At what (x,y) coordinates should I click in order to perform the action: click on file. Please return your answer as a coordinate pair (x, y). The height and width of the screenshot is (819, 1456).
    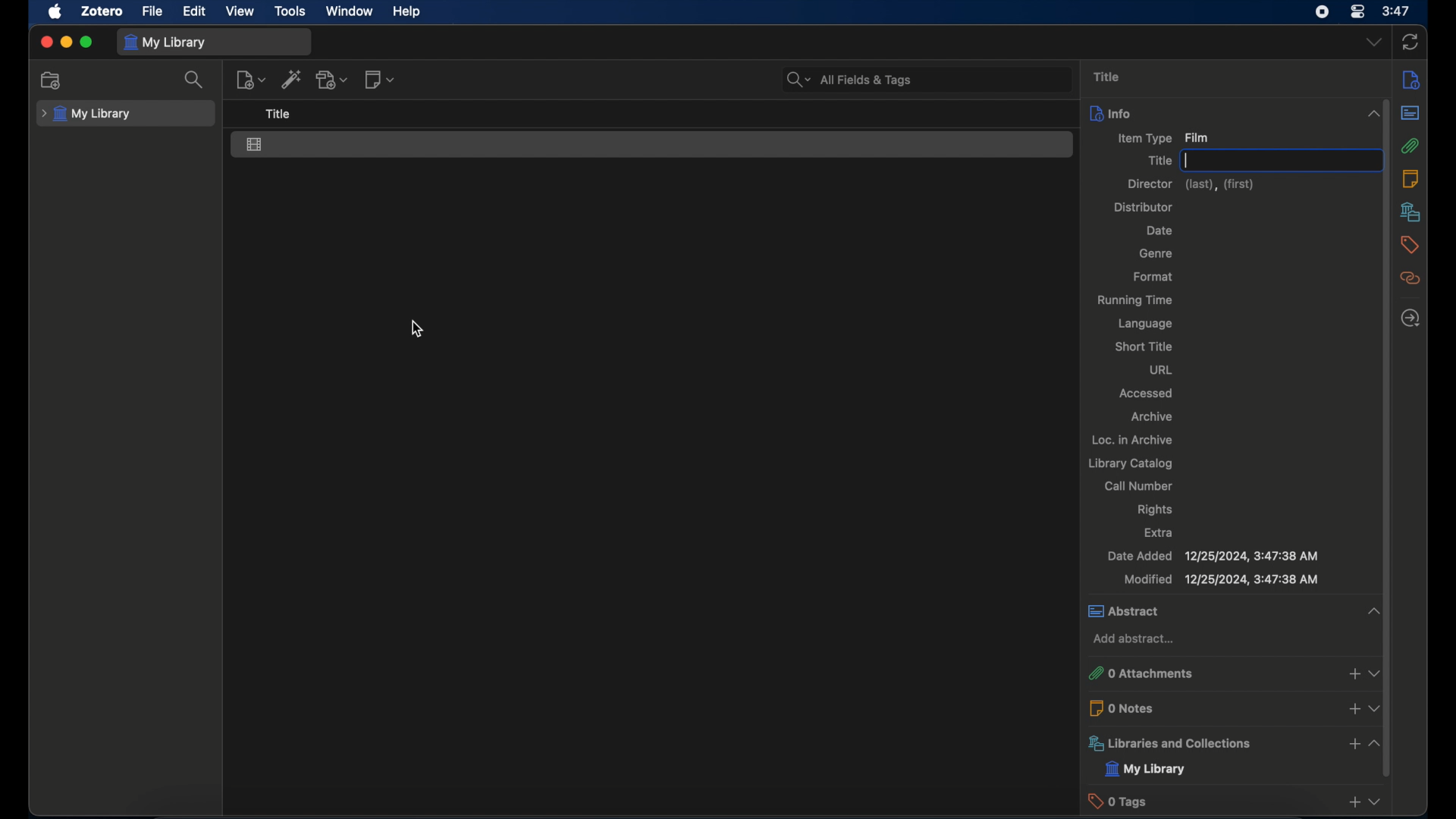
    Looking at the image, I should click on (152, 11).